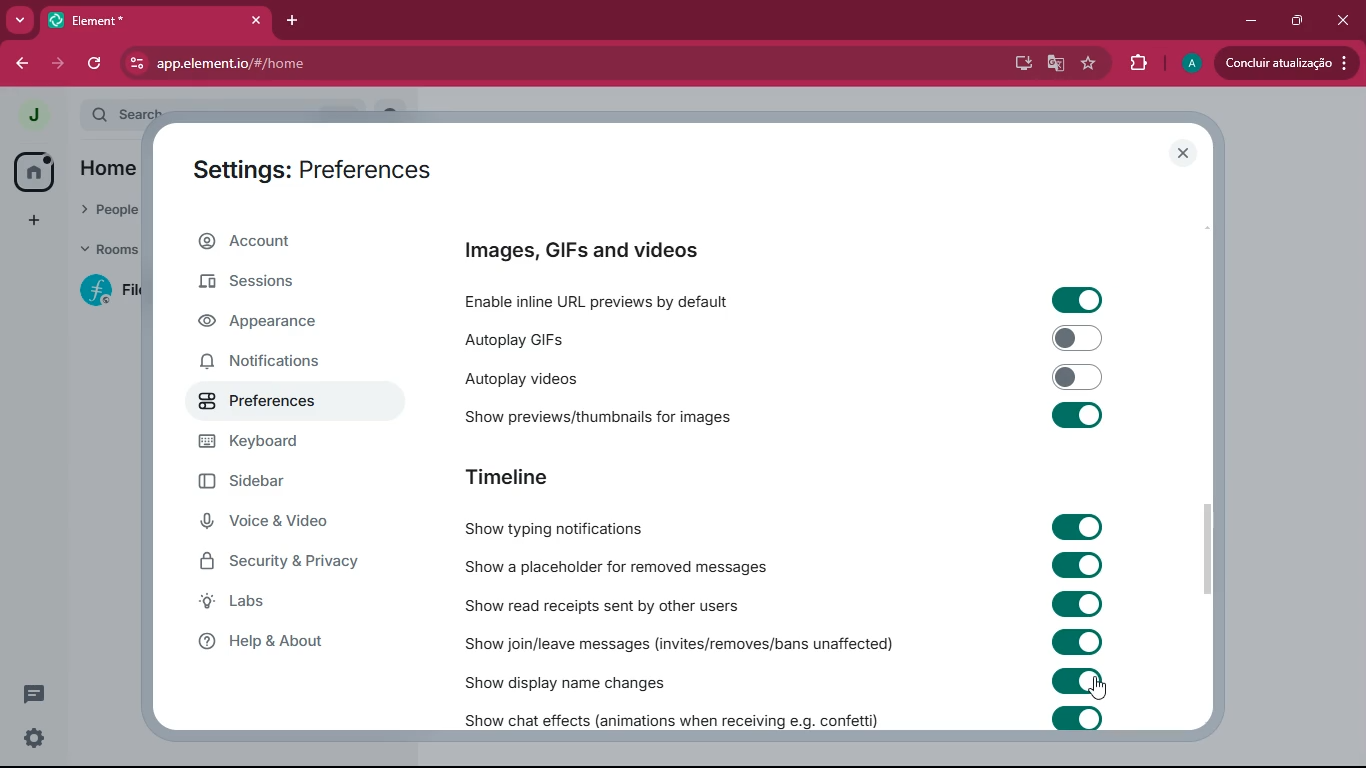 The height and width of the screenshot is (768, 1366). What do you see at coordinates (608, 415) in the screenshot?
I see `show previews/thumbnails for images` at bounding box center [608, 415].